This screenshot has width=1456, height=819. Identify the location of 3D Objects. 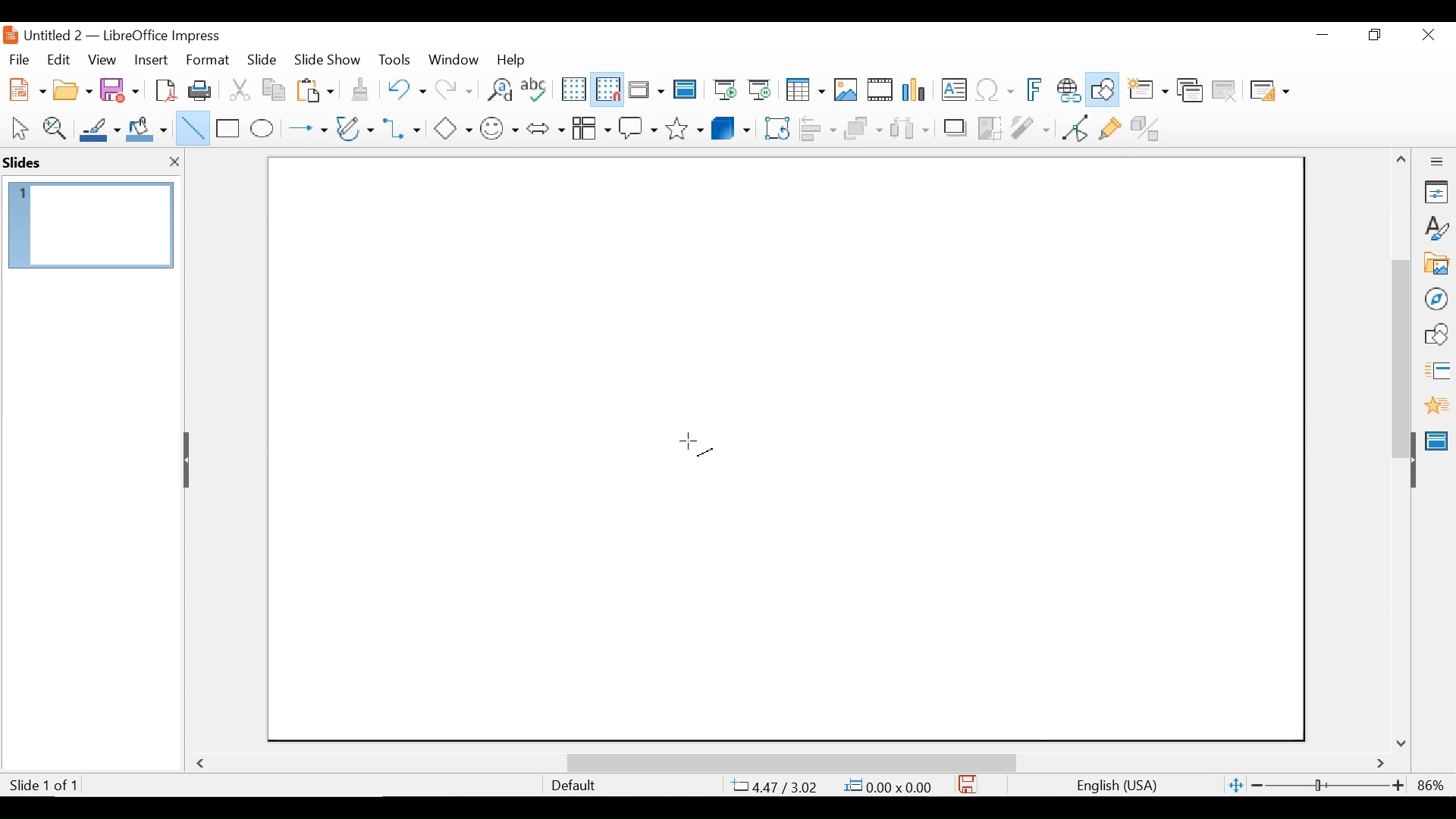
(731, 127).